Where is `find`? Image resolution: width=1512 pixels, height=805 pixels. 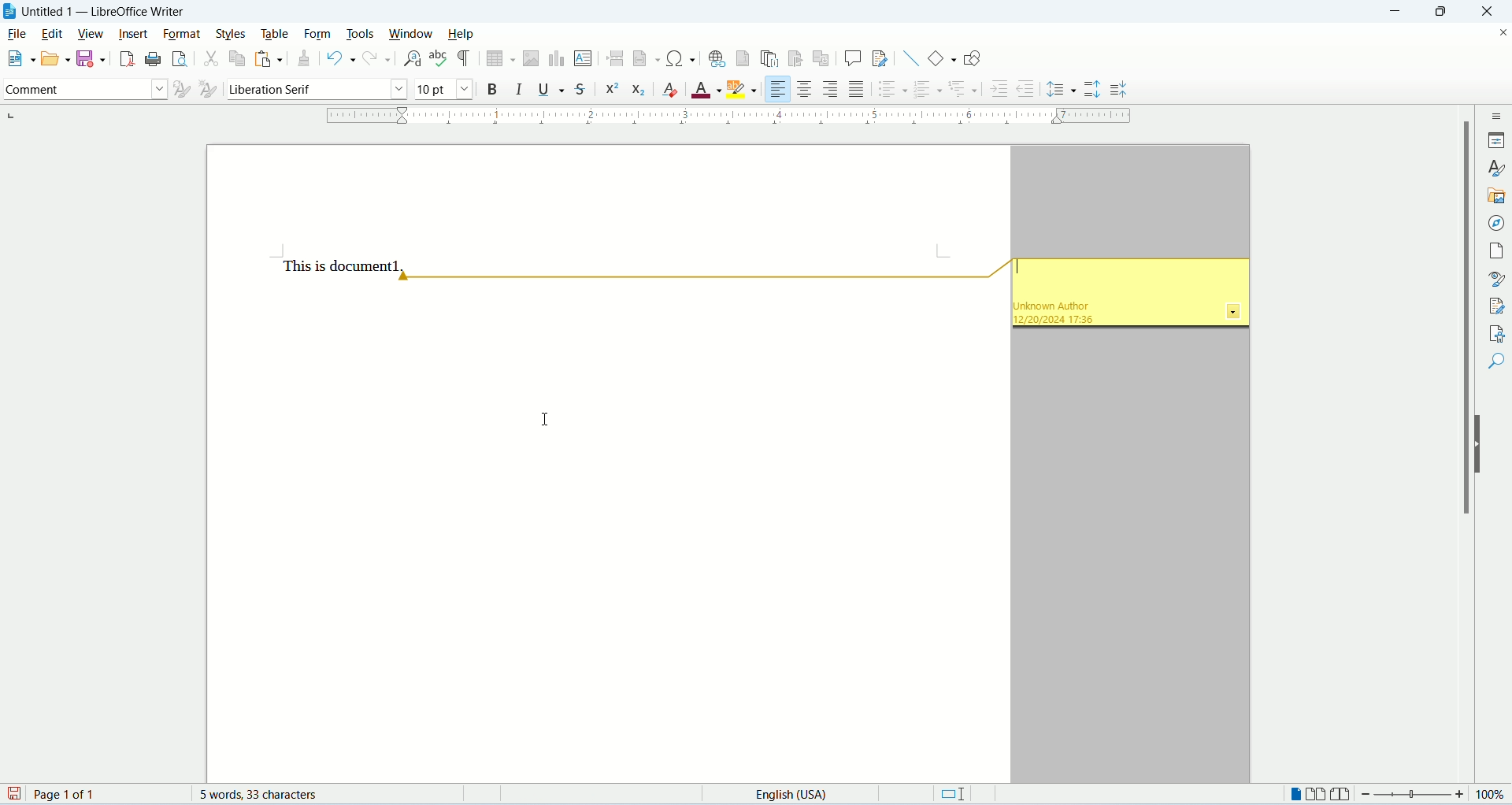
find is located at coordinates (1495, 360).